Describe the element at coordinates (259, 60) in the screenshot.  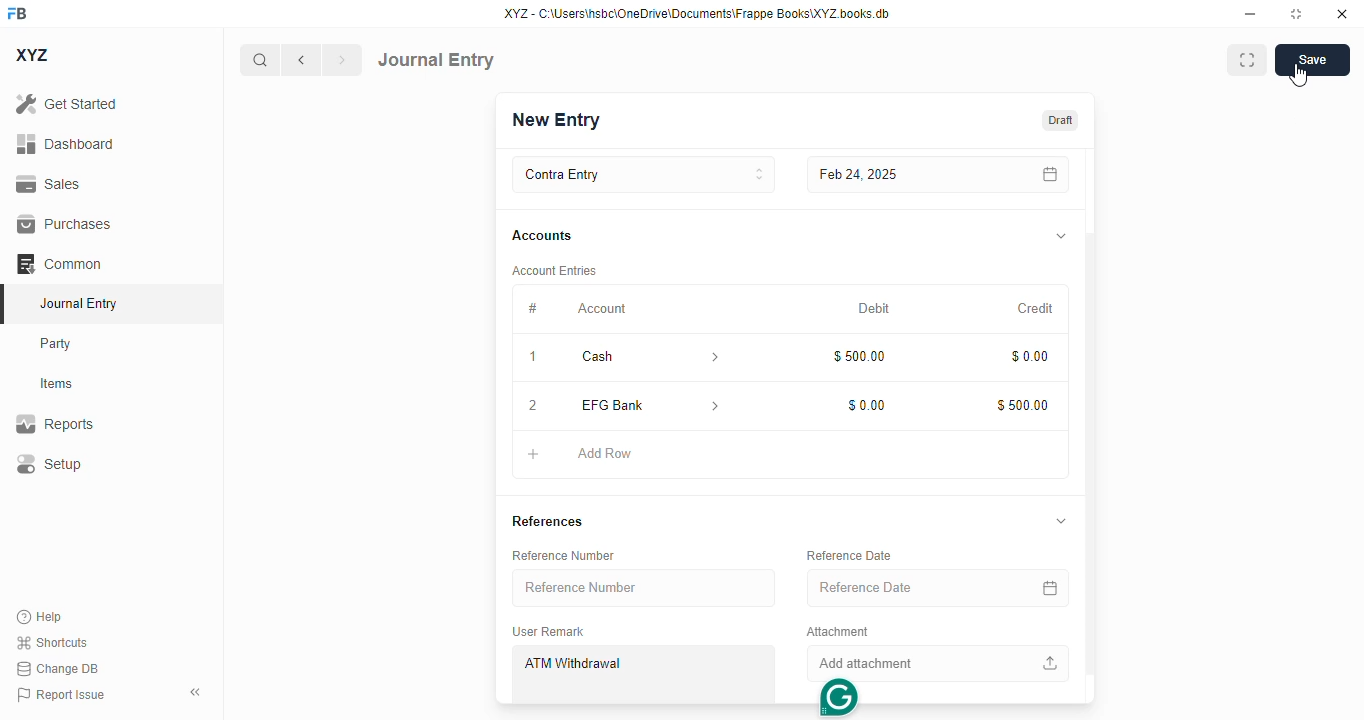
I see `search` at that location.